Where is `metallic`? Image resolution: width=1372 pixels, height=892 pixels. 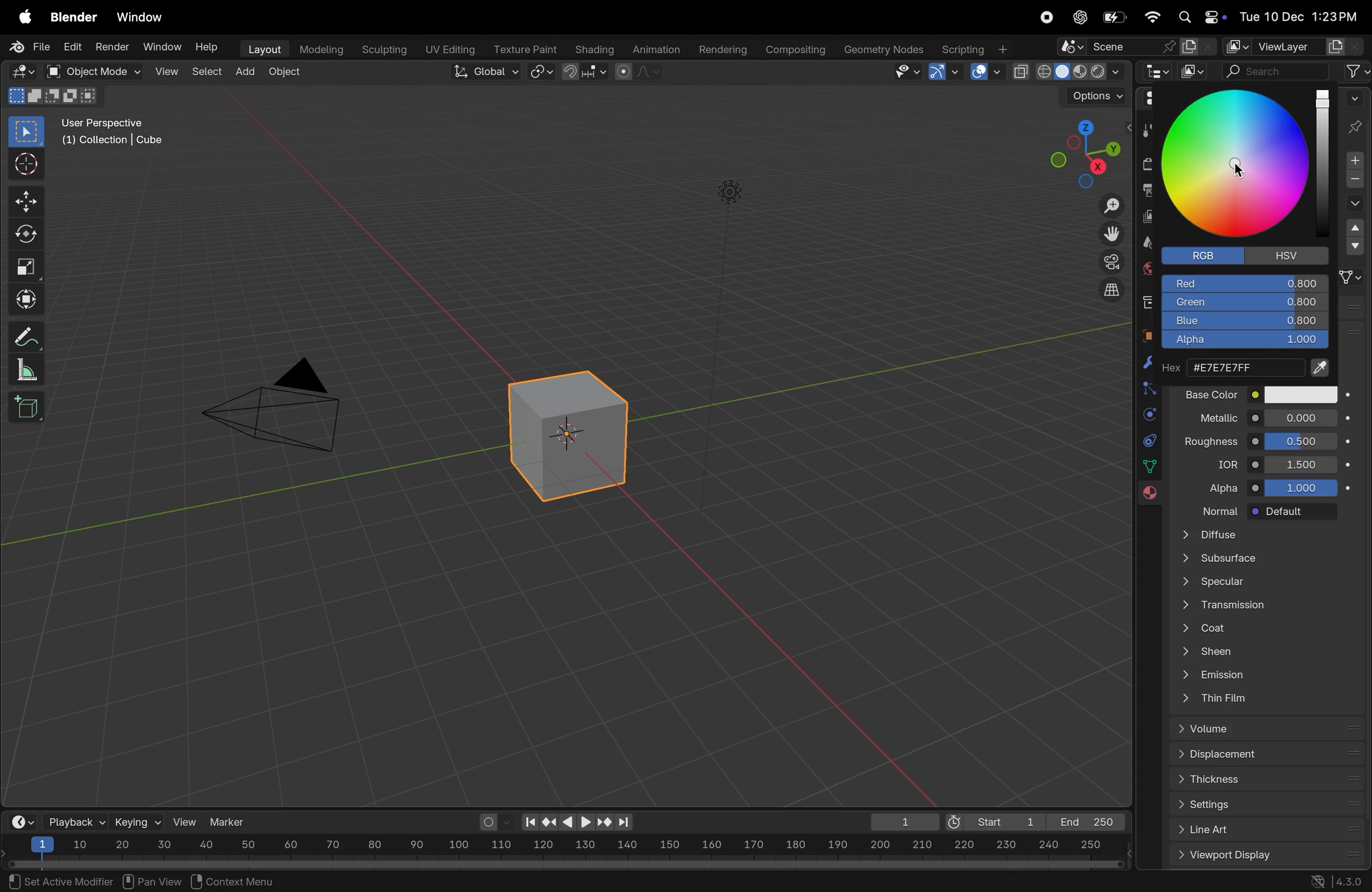 metallic is located at coordinates (1208, 416).